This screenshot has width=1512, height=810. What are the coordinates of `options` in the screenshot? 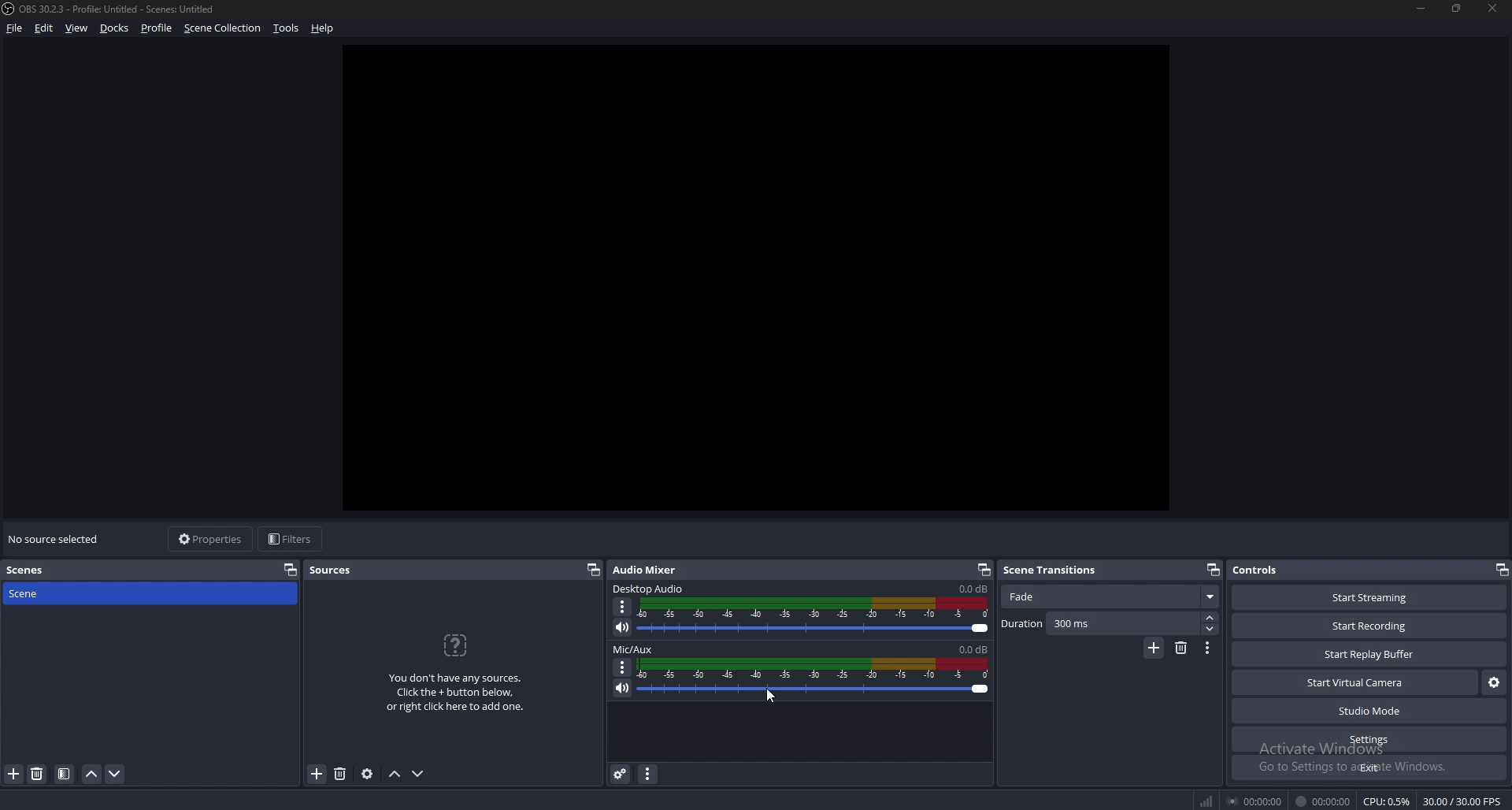 It's located at (623, 667).